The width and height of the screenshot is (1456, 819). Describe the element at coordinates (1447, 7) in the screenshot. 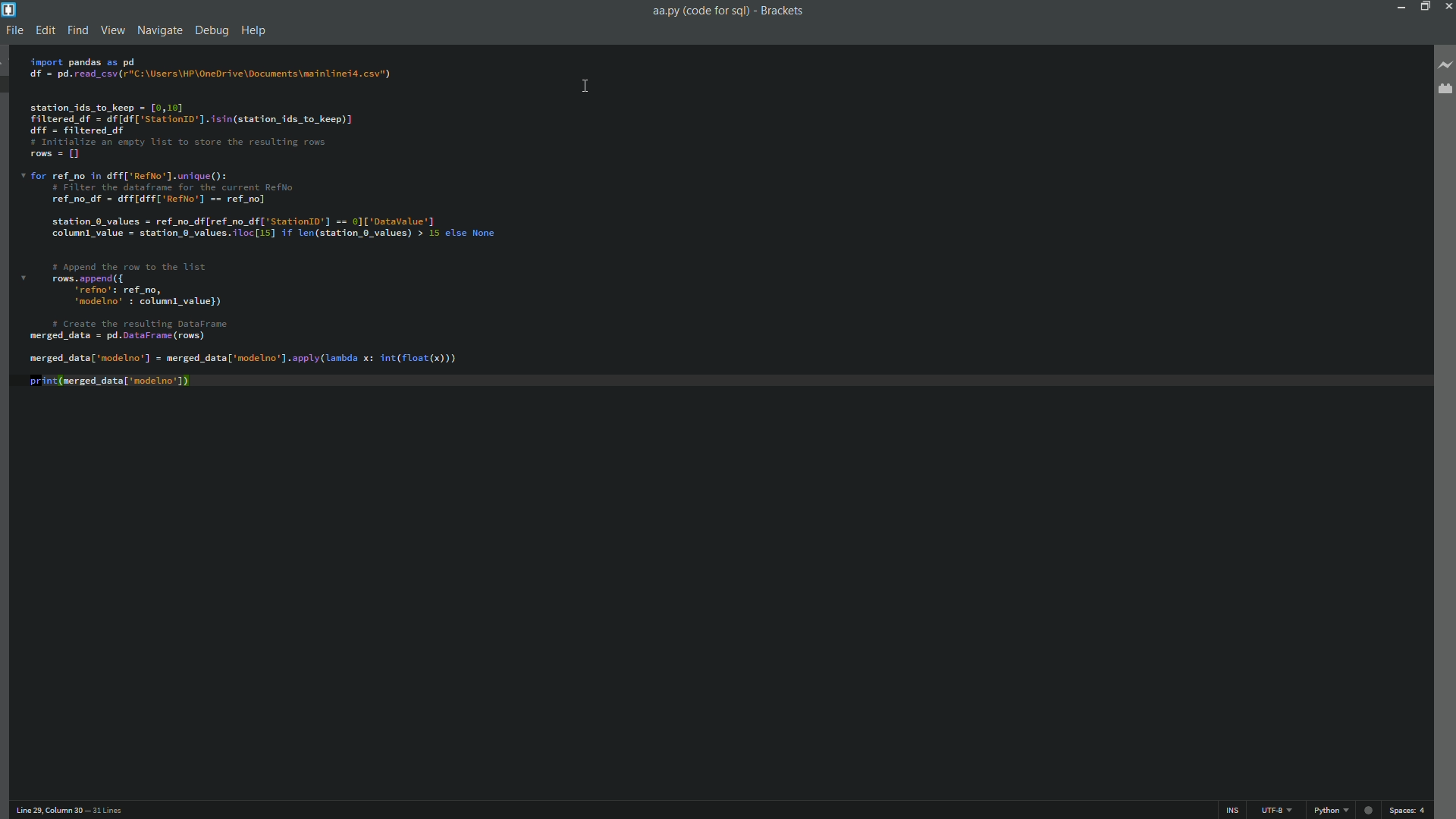

I see `close app button` at that location.